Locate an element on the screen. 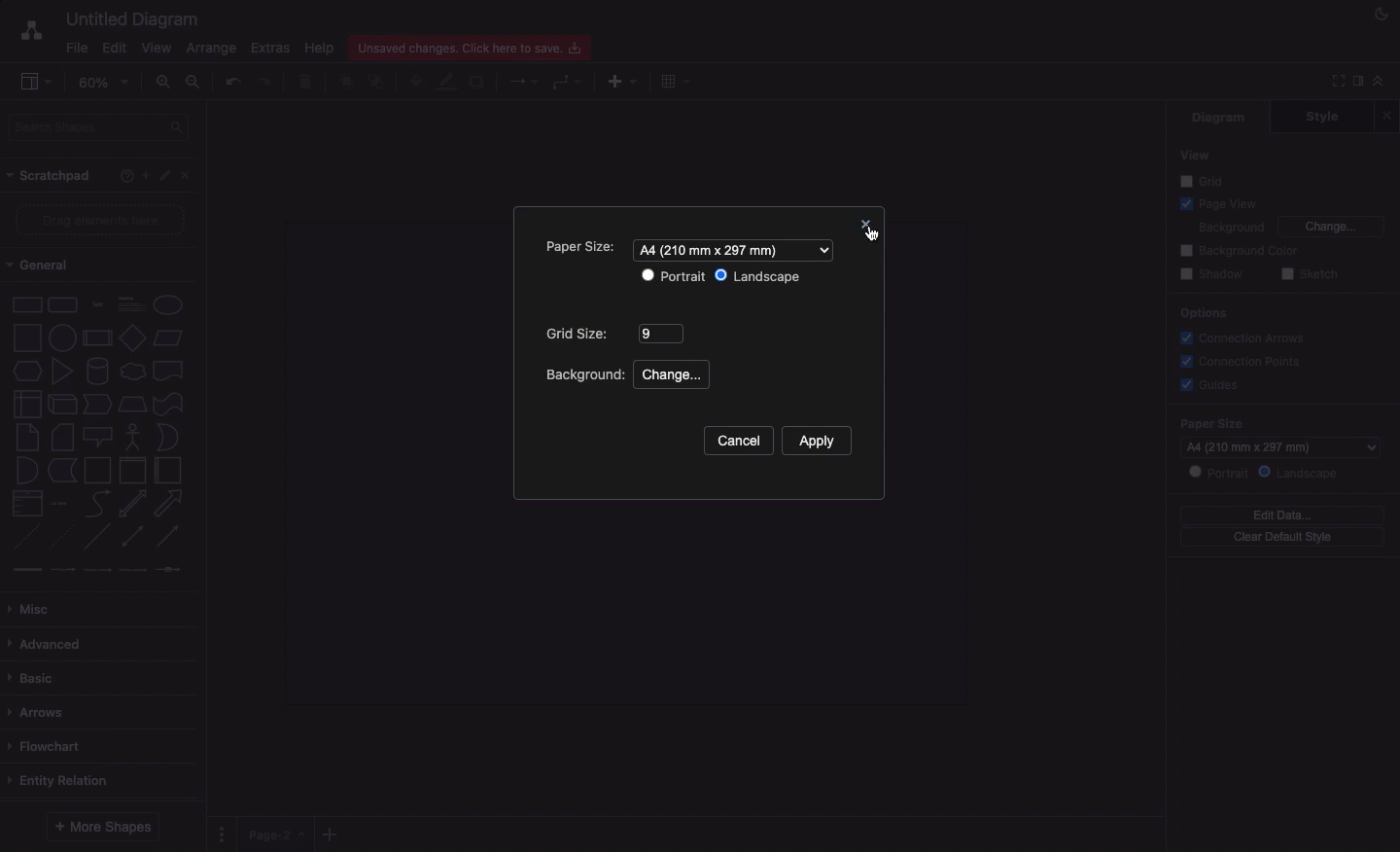  Help is located at coordinates (126, 175).